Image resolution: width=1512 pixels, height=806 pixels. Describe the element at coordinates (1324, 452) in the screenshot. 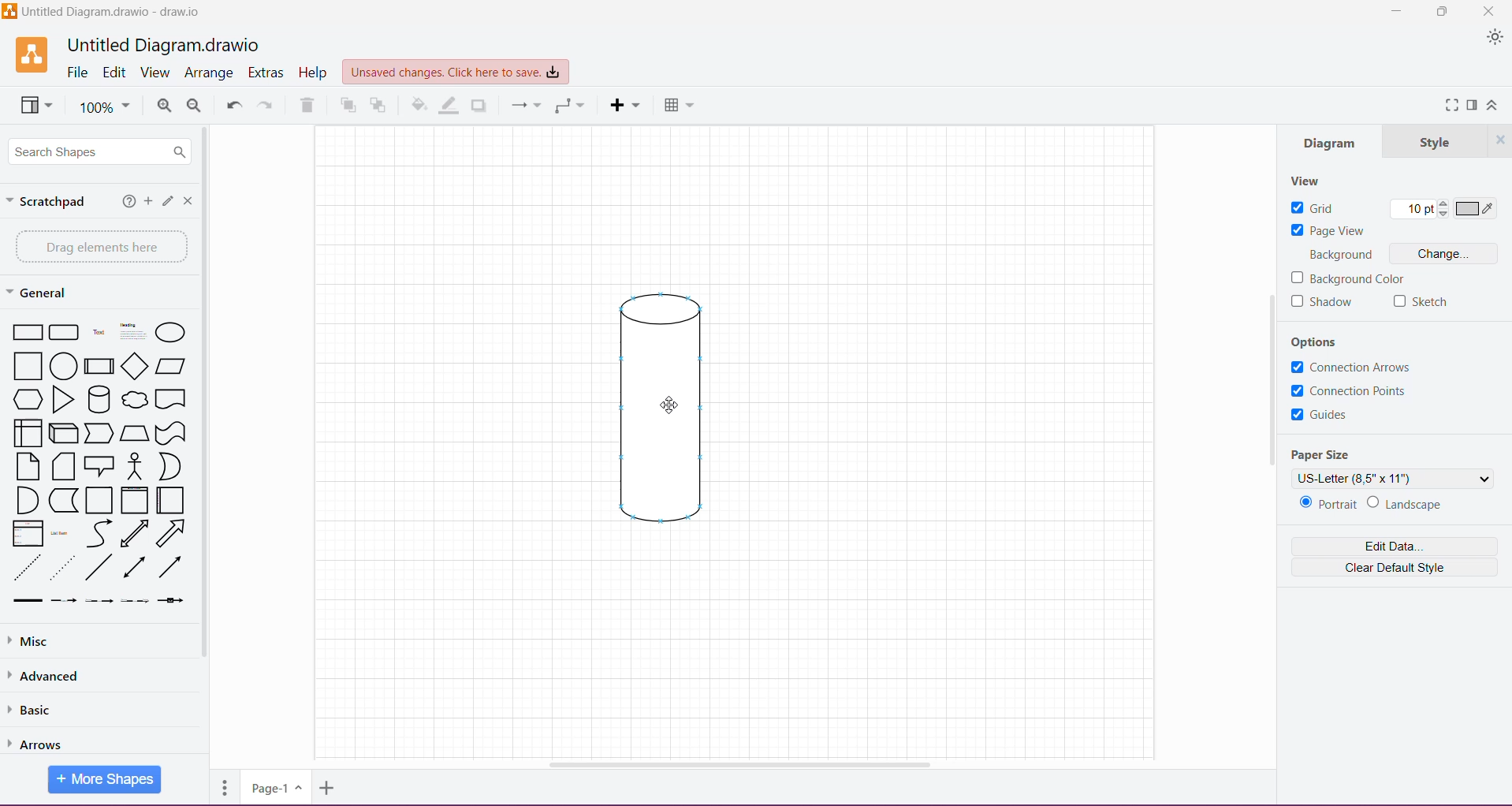

I see `Paper Size` at that location.